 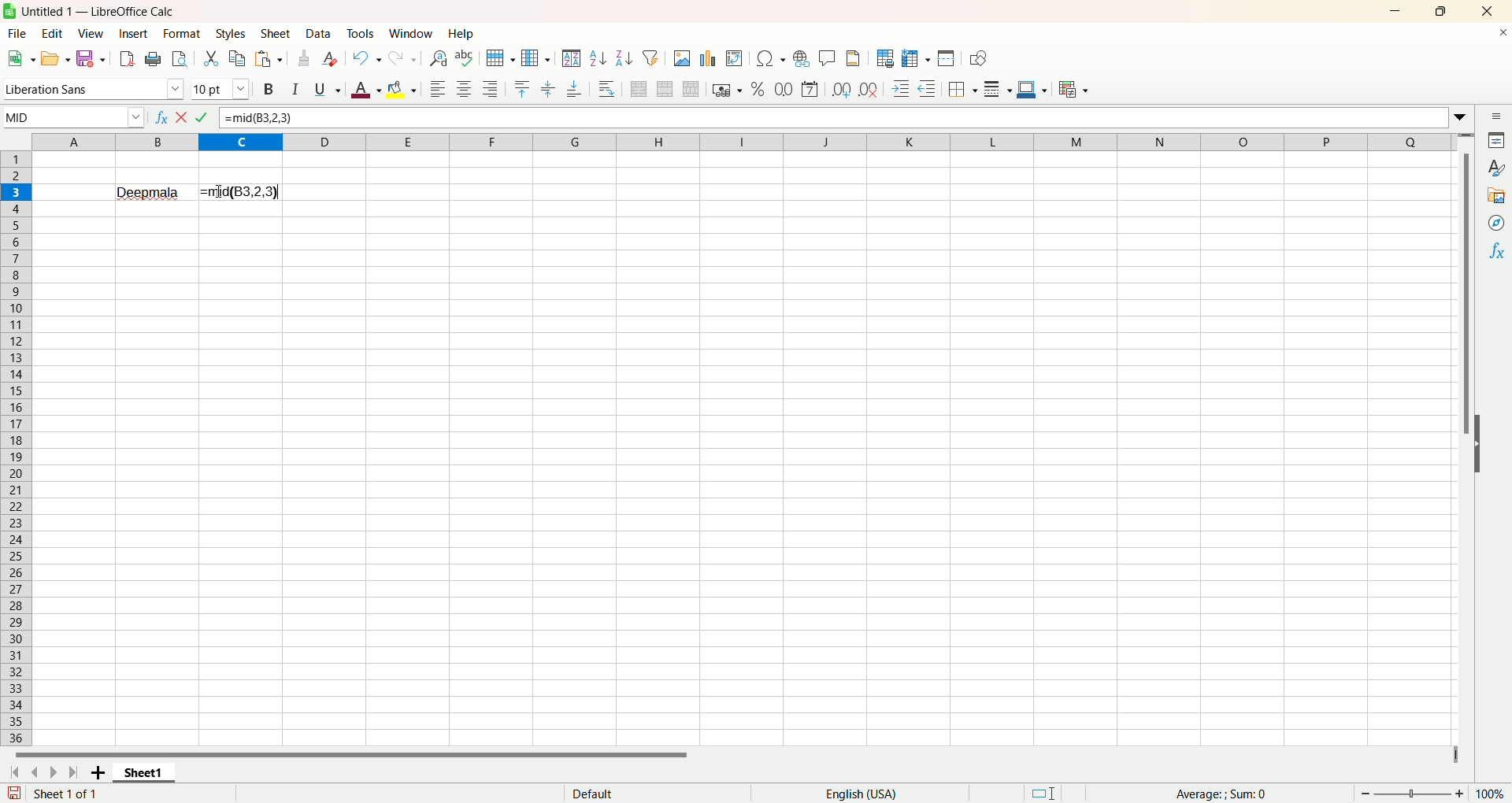 I want to click on Row , so click(x=19, y=447).